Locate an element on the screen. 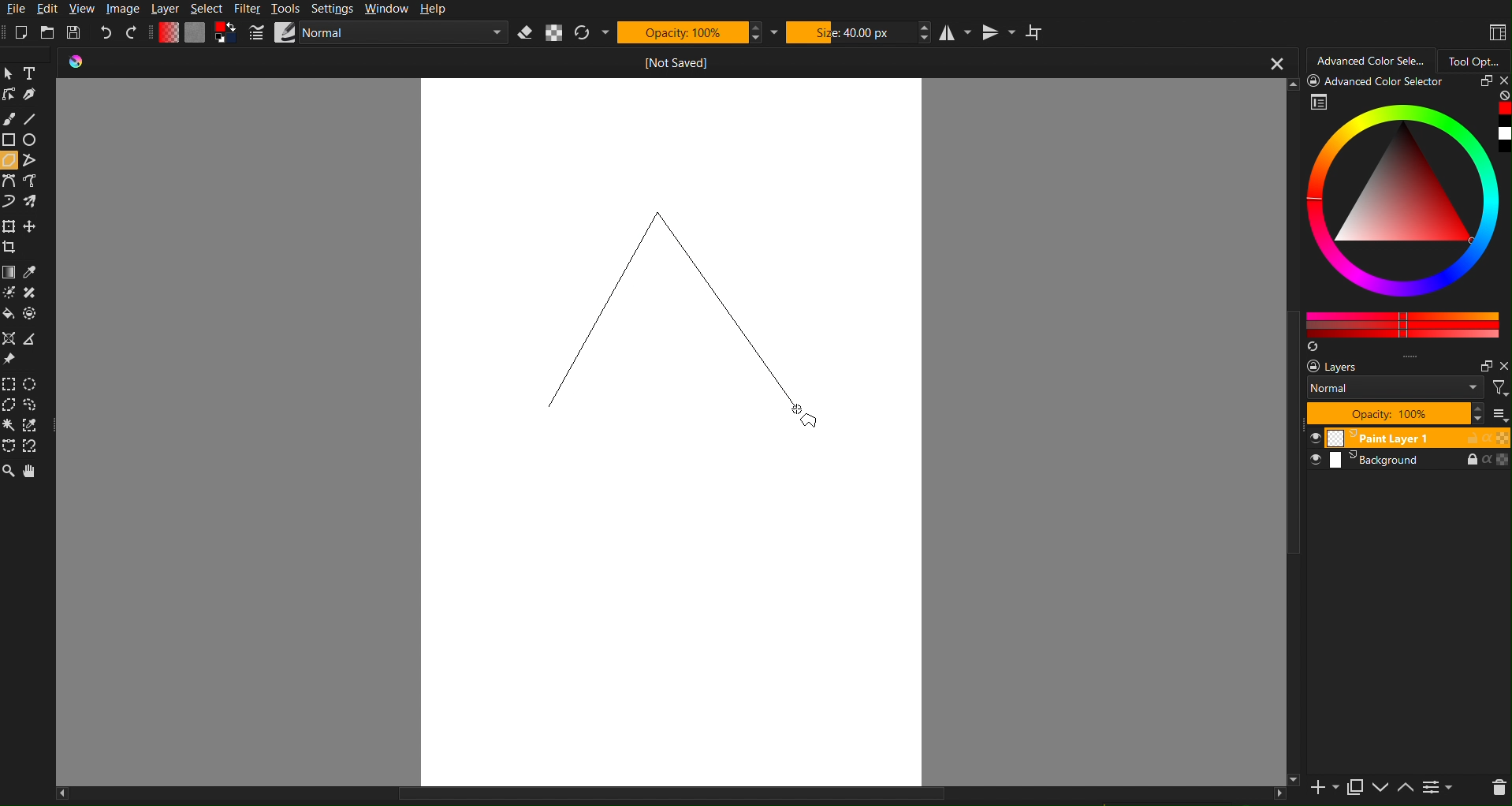 This screenshot has height=806, width=1512. enclose and fill tool is located at coordinates (32, 315).